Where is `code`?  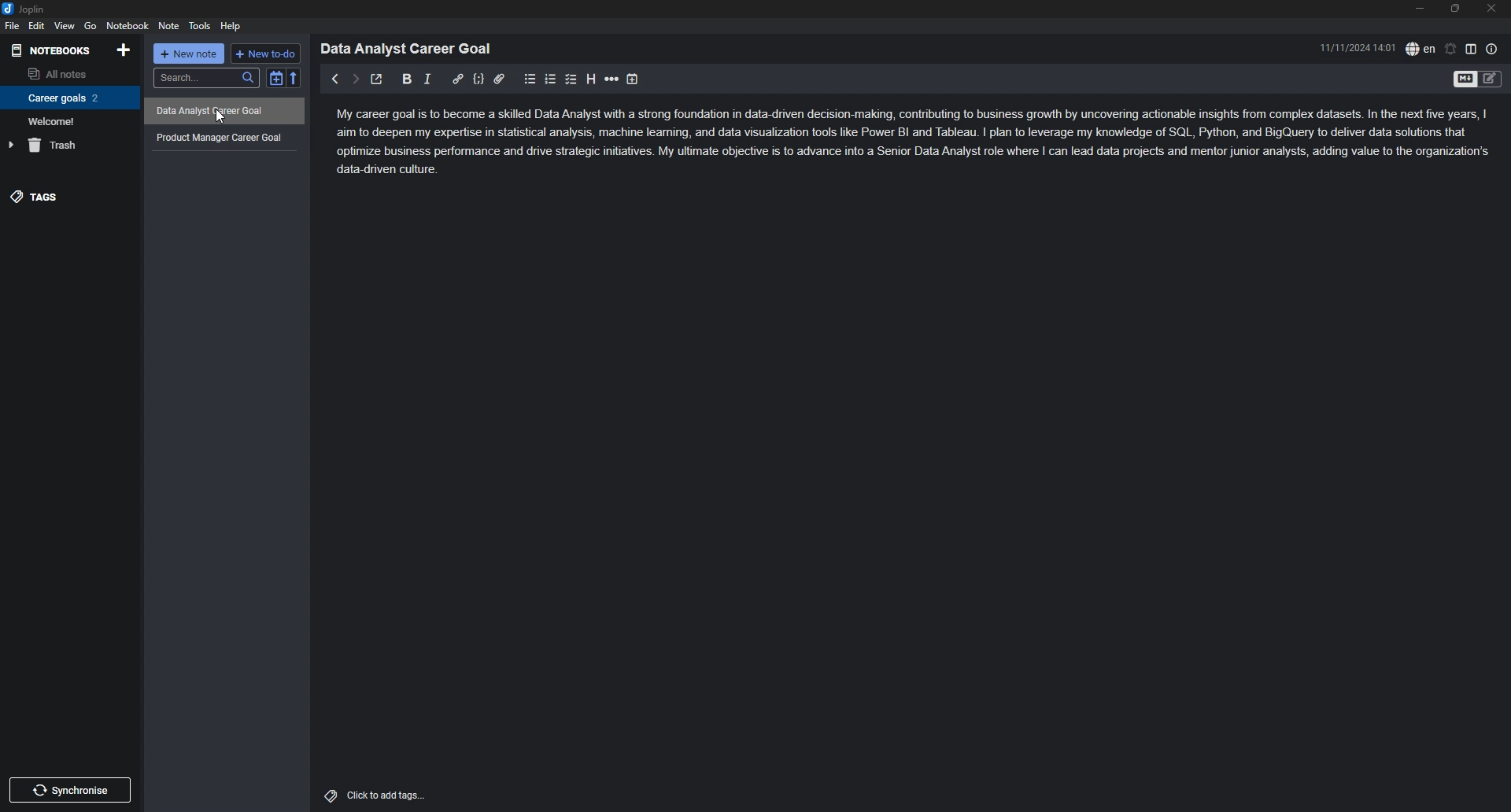
code is located at coordinates (478, 79).